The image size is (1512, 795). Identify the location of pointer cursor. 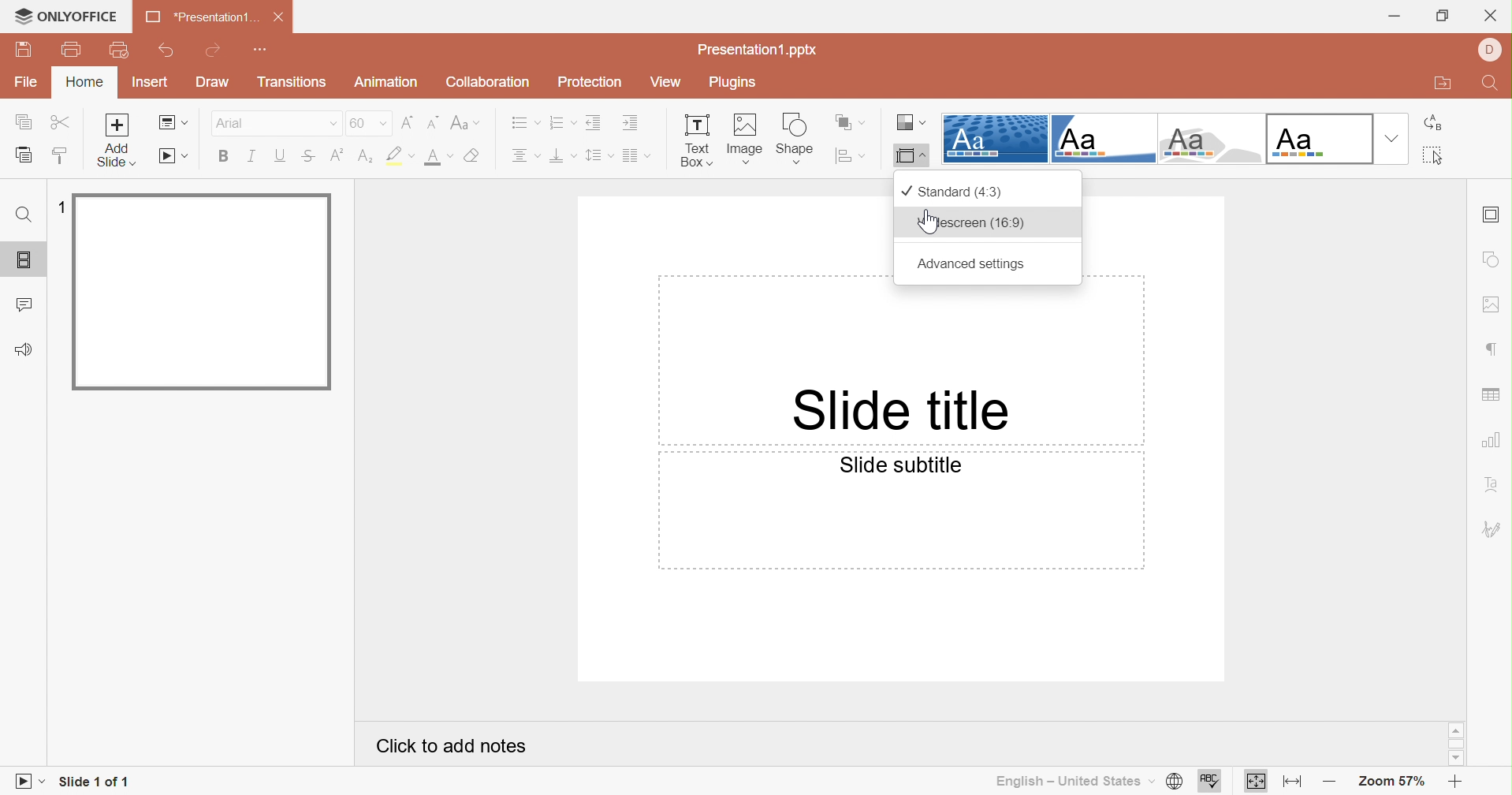
(926, 222).